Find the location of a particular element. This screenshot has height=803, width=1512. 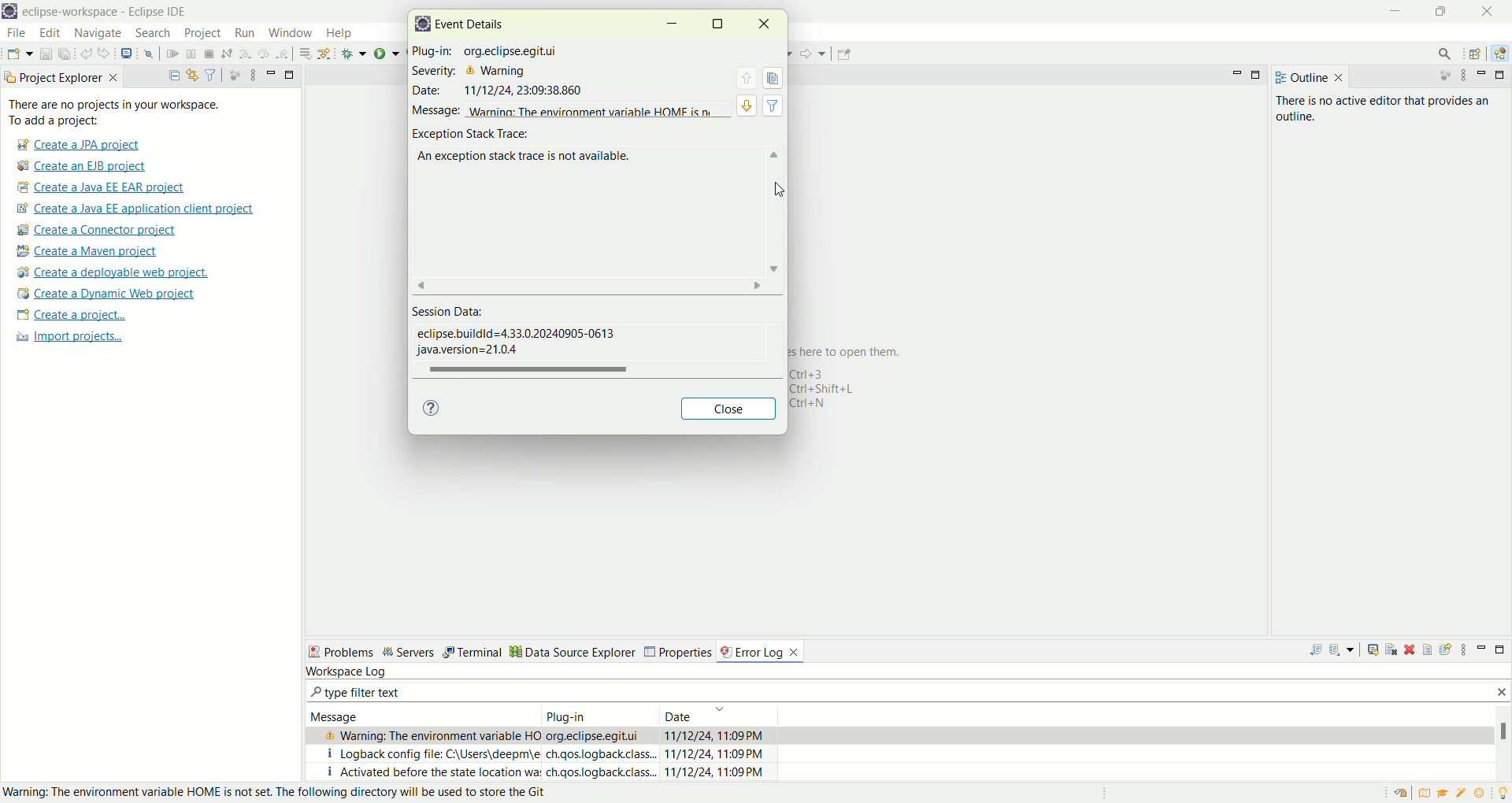

create a maven project is located at coordinates (94, 250).